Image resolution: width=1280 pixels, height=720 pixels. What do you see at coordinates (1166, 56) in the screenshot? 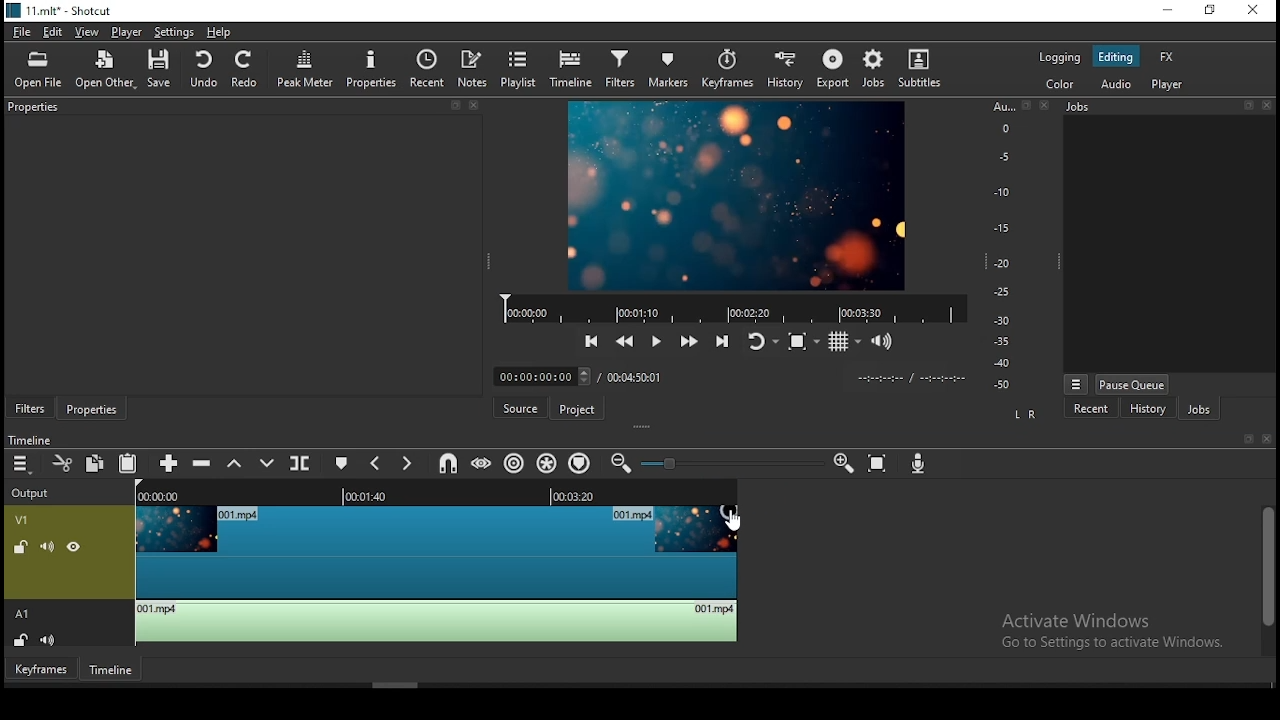
I see `fx` at bounding box center [1166, 56].